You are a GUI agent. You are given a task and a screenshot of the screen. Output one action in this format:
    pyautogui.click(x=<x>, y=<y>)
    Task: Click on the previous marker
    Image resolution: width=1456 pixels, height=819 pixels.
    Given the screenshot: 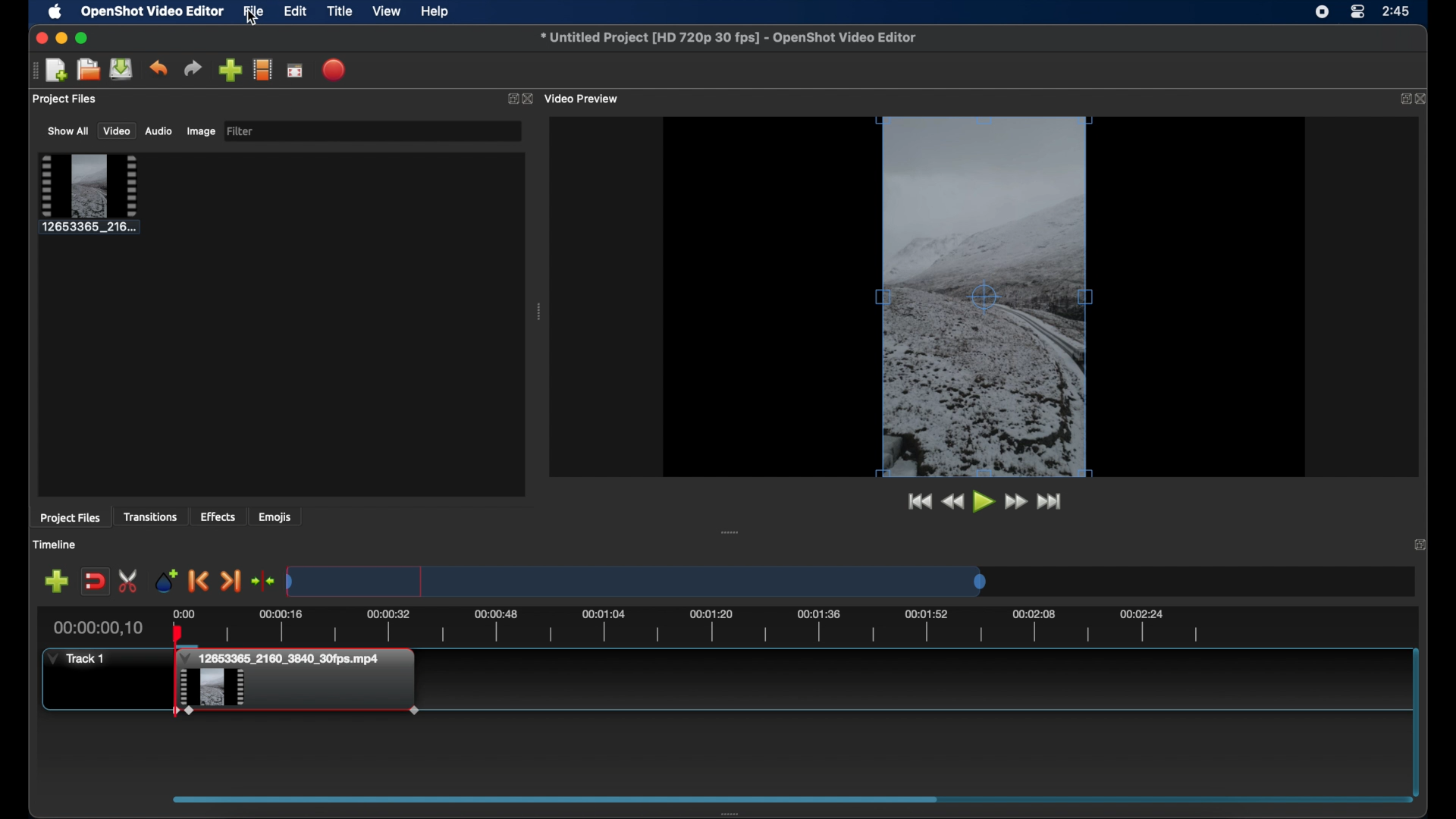 What is the action you would take?
    pyautogui.click(x=199, y=581)
    